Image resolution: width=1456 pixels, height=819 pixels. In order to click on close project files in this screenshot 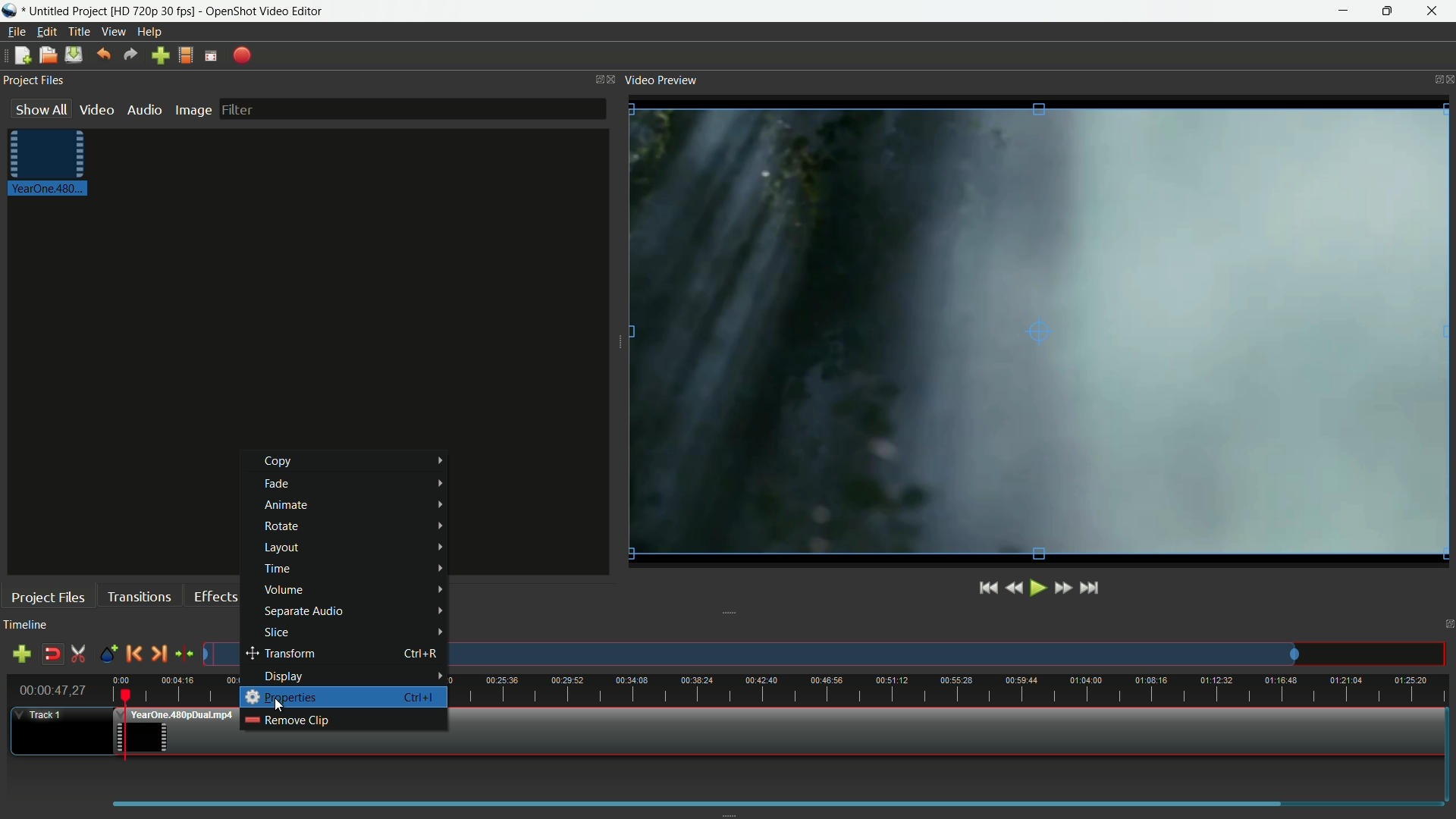, I will do `click(612, 80)`.